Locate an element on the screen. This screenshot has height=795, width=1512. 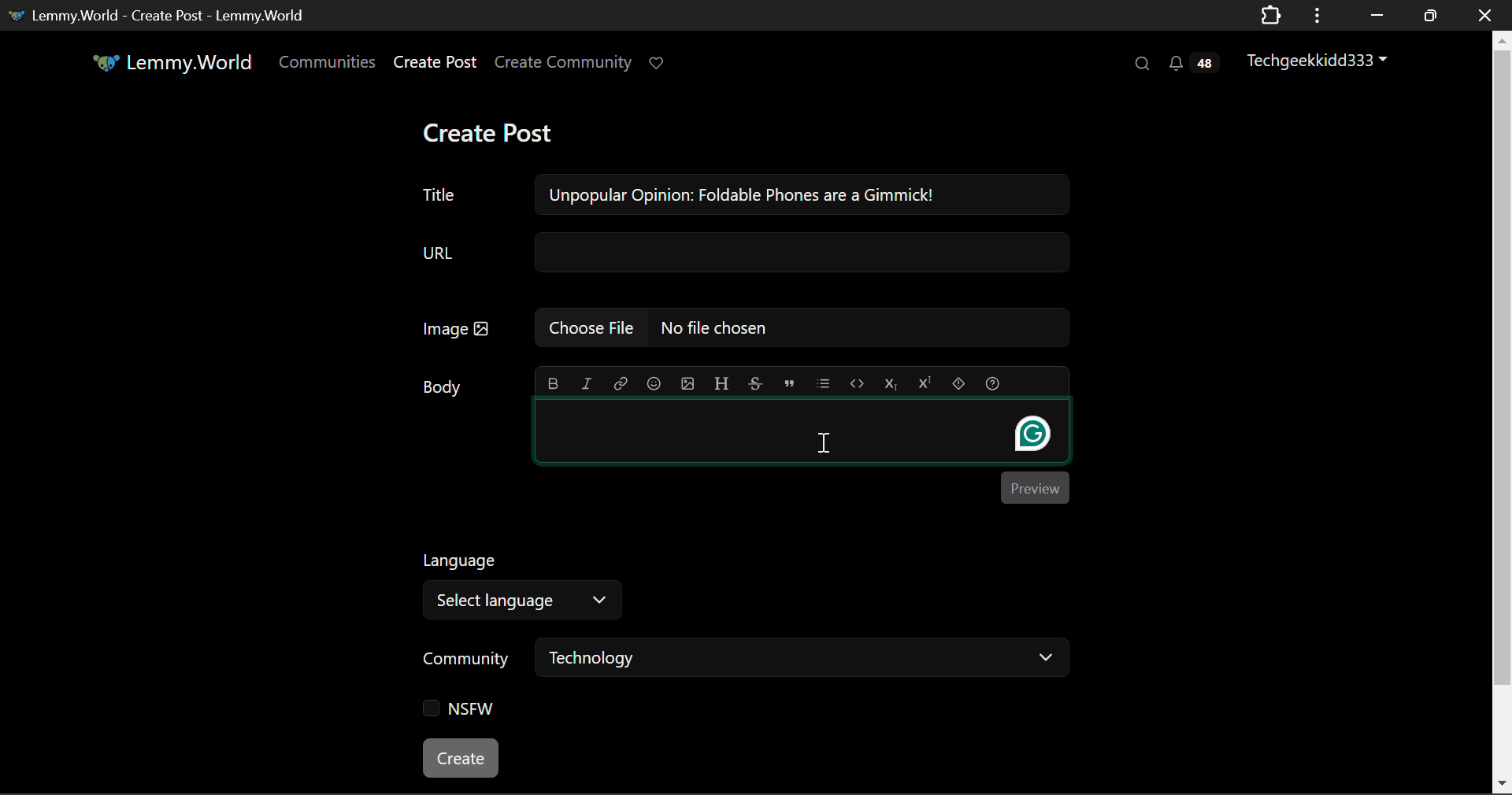
Create Post is located at coordinates (487, 135).